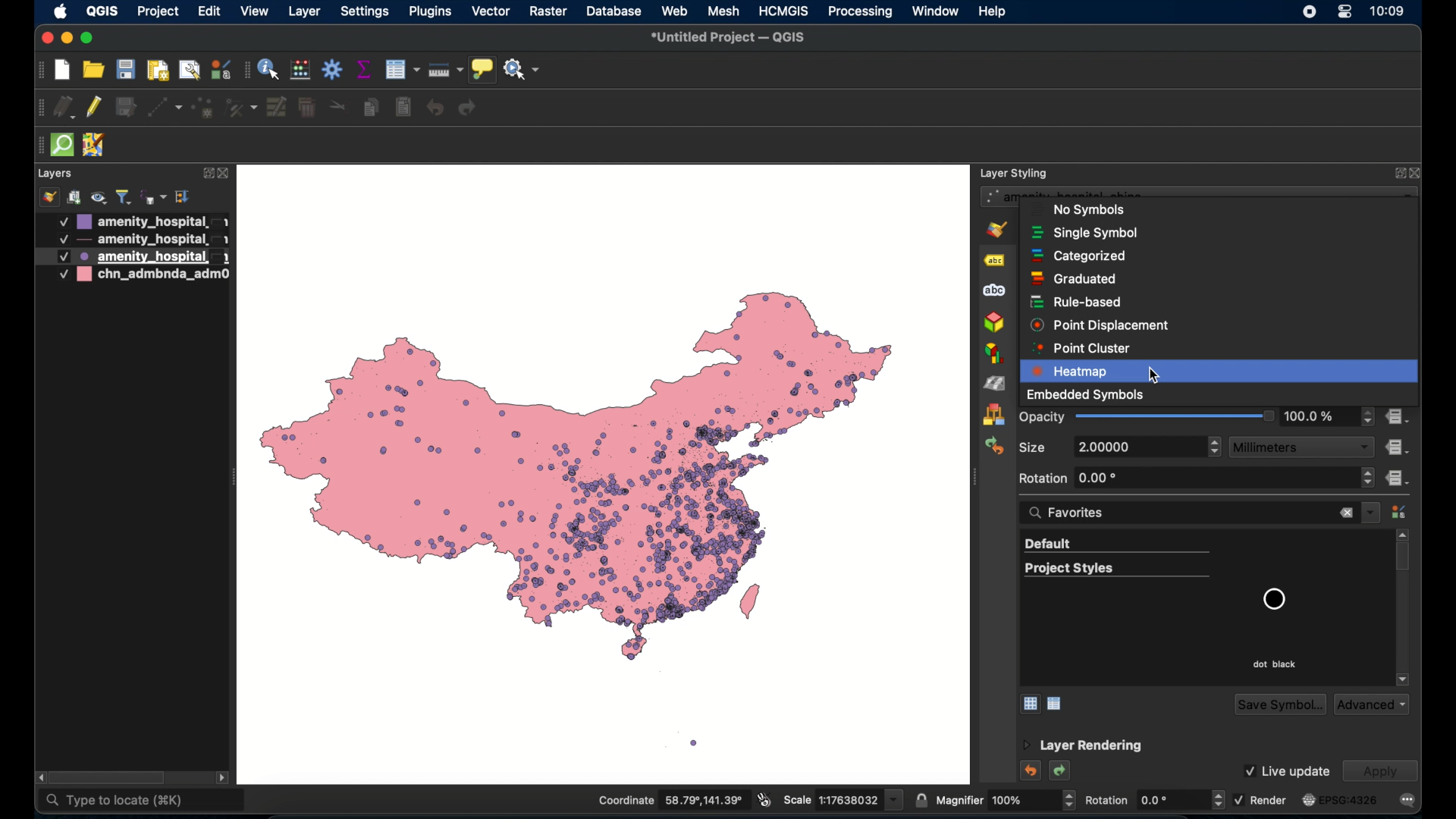 This screenshot has height=819, width=1456. What do you see at coordinates (269, 69) in the screenshot?
I see `identify feature` at bounding box center [269, 69].